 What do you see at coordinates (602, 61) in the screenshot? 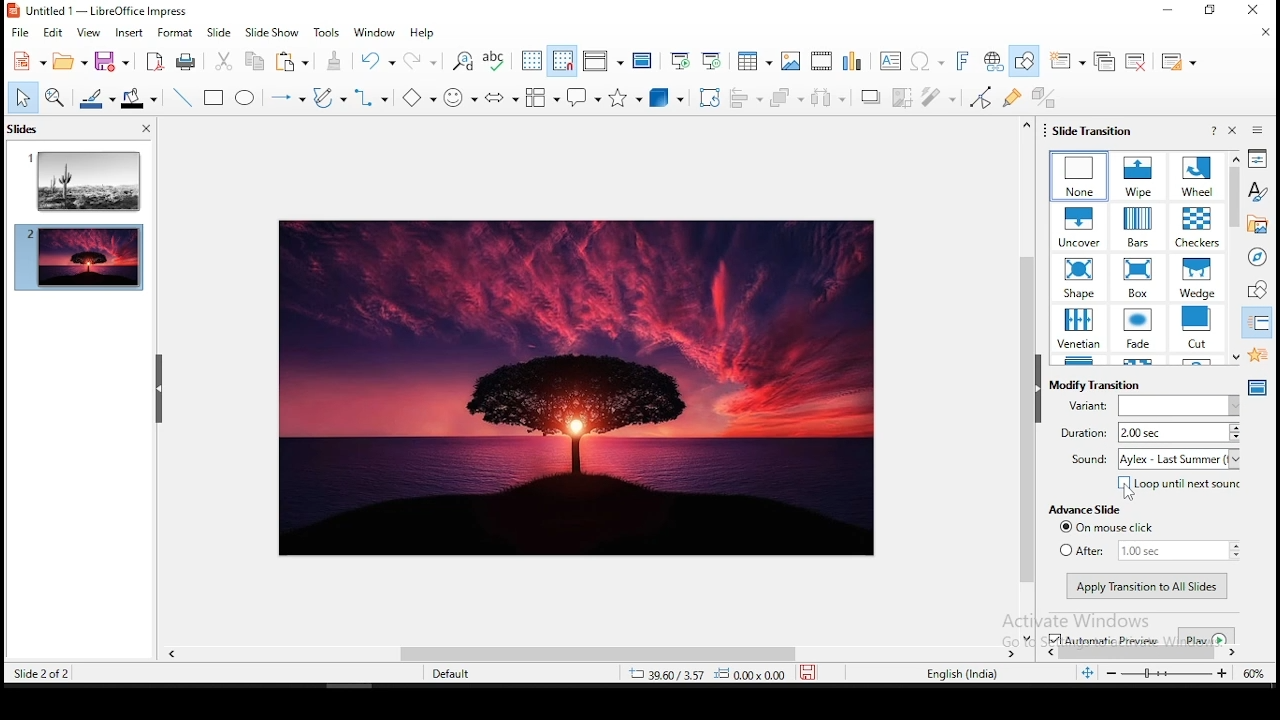
I see `display views` at bounding box center [602, 61].